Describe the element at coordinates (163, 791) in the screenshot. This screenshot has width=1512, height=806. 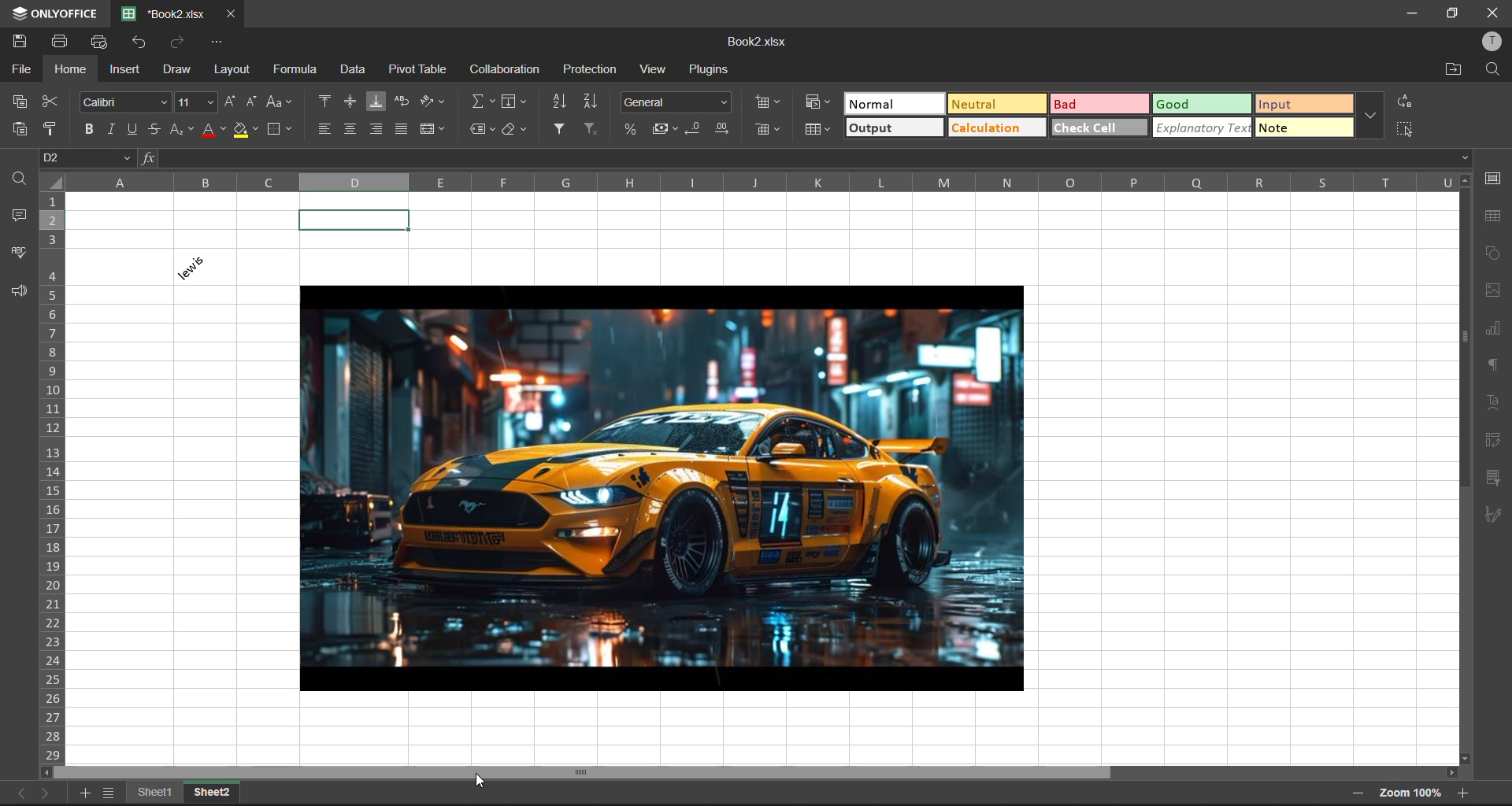
I see `sheet1` at that location.